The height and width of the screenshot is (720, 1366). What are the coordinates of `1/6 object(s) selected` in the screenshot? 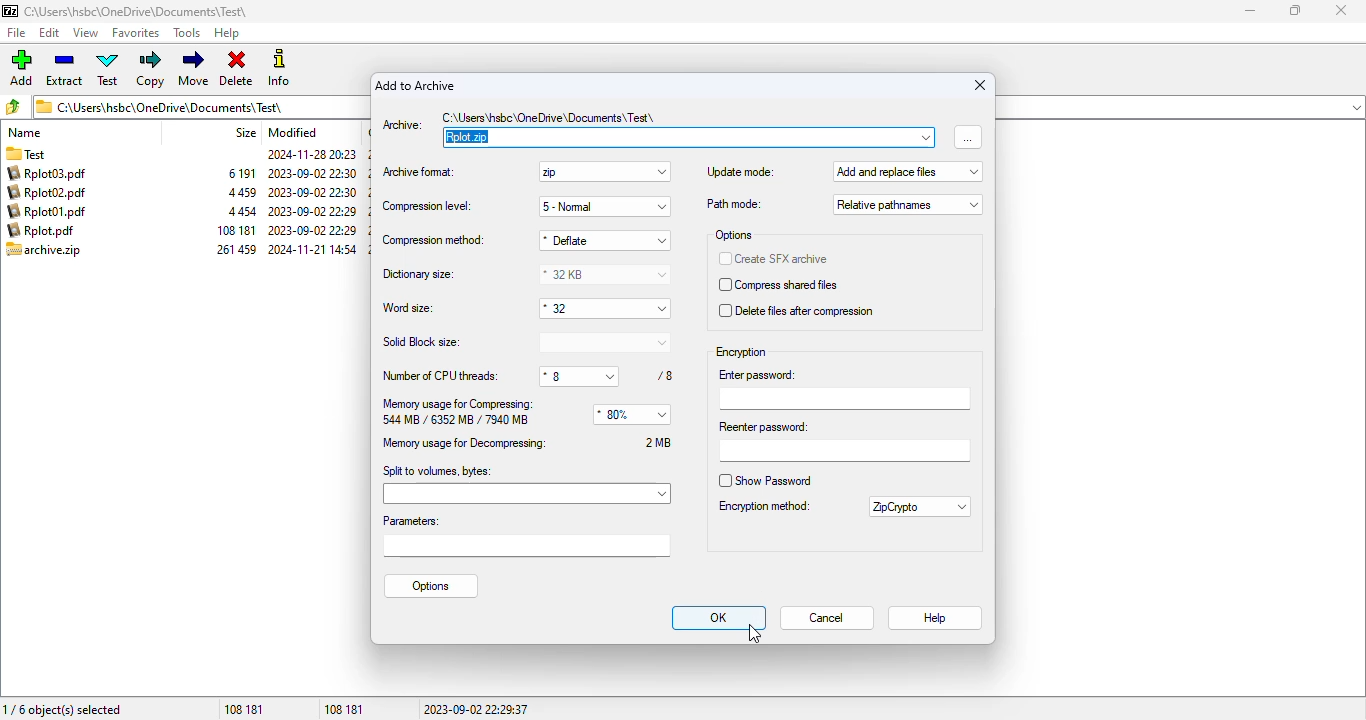 It's located at (65, 707).